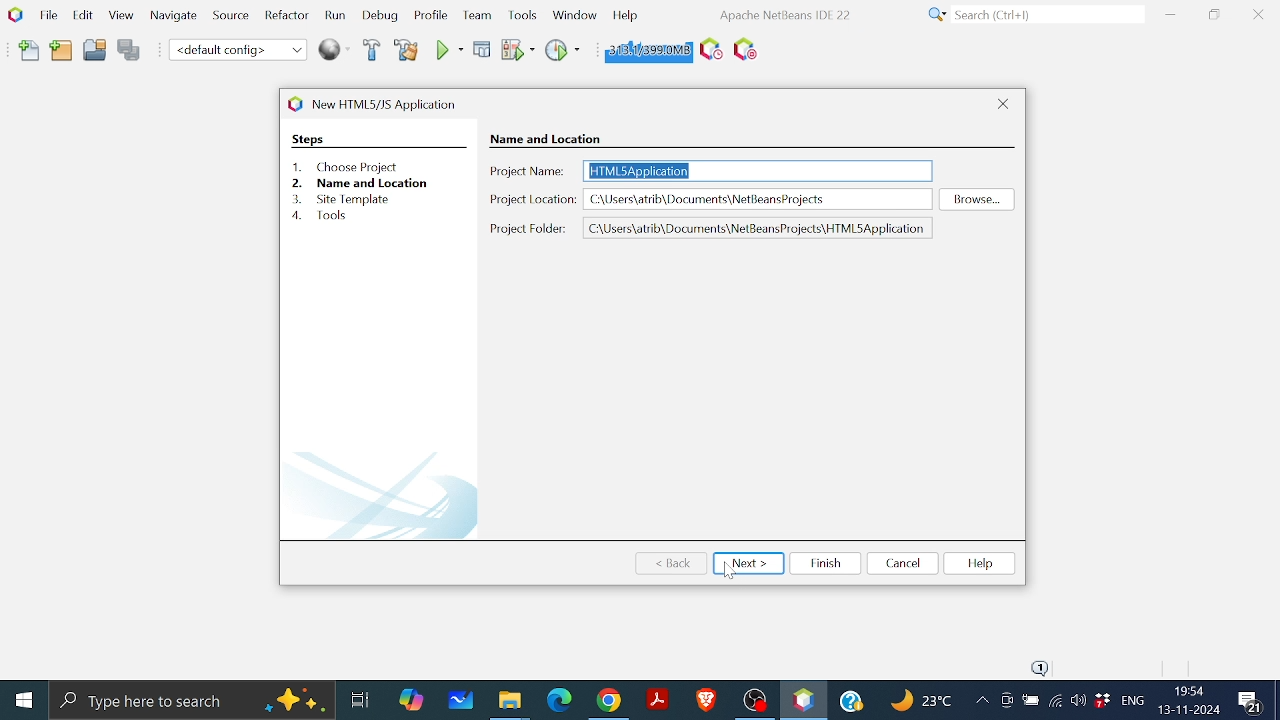  Describe the element at coordinates (95, 53) in the screenshot. I see `Open project` at that location.